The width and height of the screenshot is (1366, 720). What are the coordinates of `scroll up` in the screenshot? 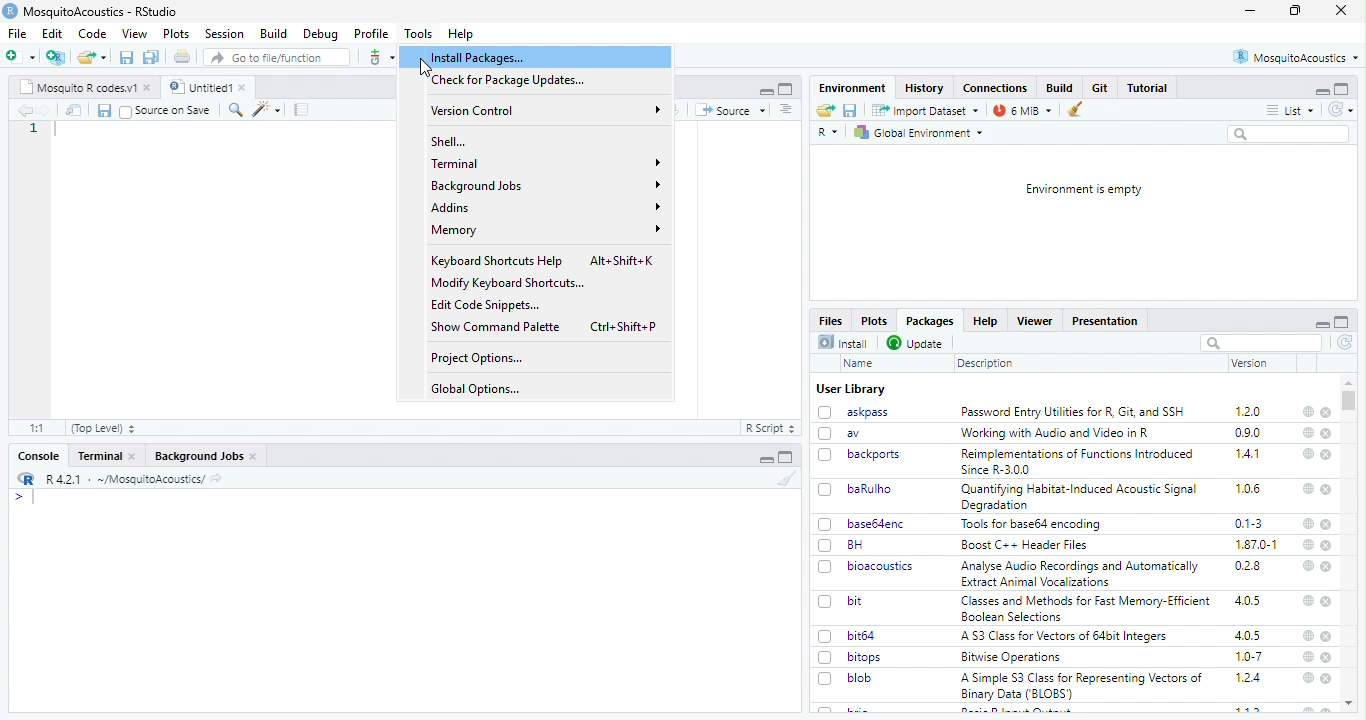 It's located at (1349, 383).